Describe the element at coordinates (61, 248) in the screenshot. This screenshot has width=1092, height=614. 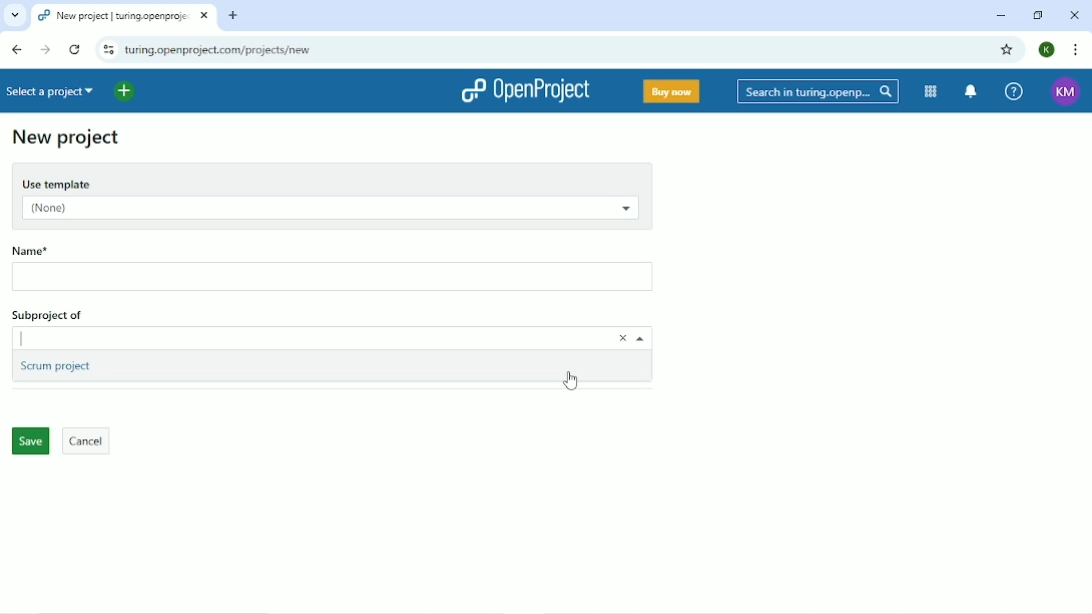
I see `Name*` at that location.